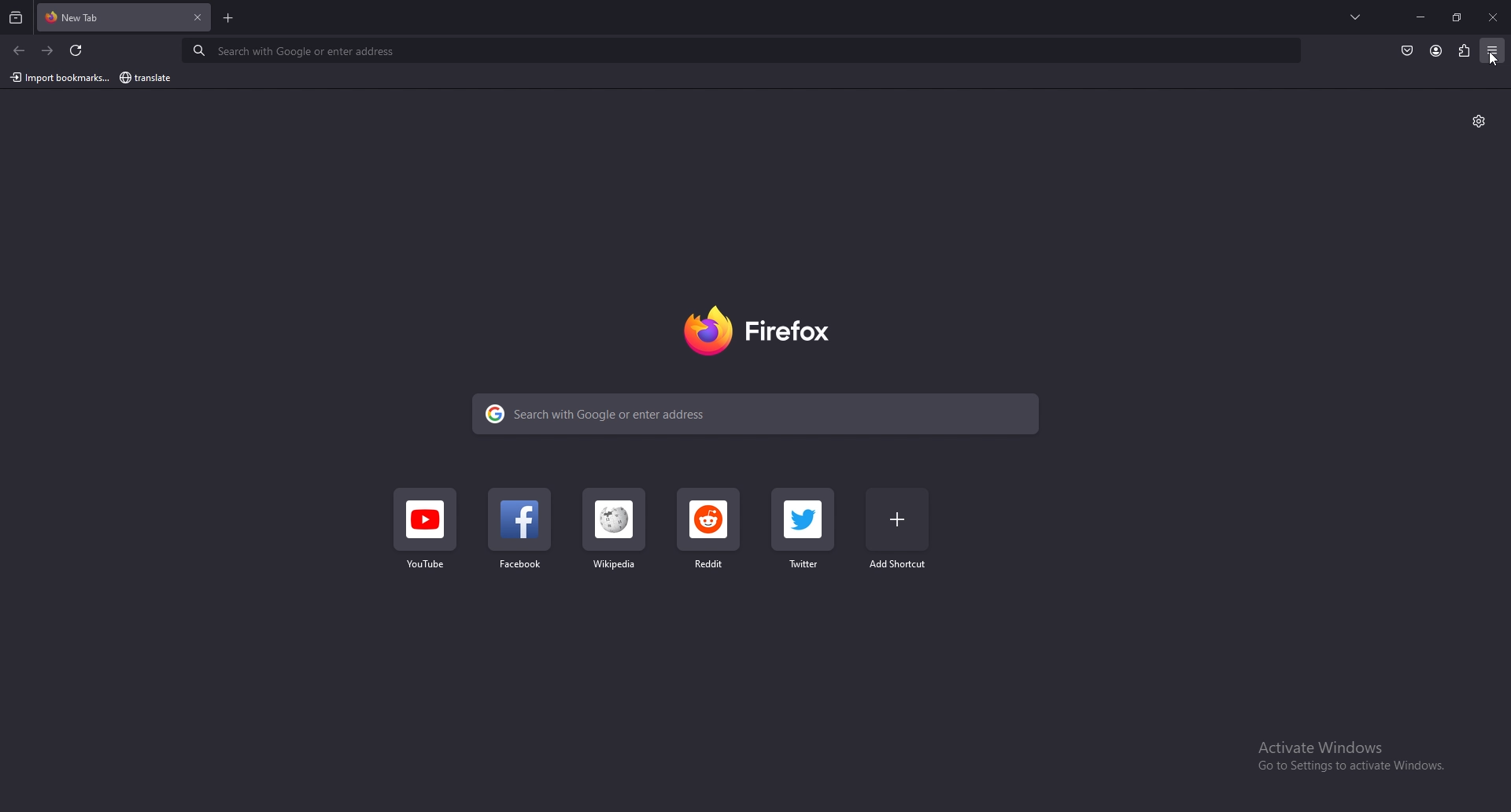  Describe the element at coordinates (520, 532) in the screenshot. I see `facebook` at that location.